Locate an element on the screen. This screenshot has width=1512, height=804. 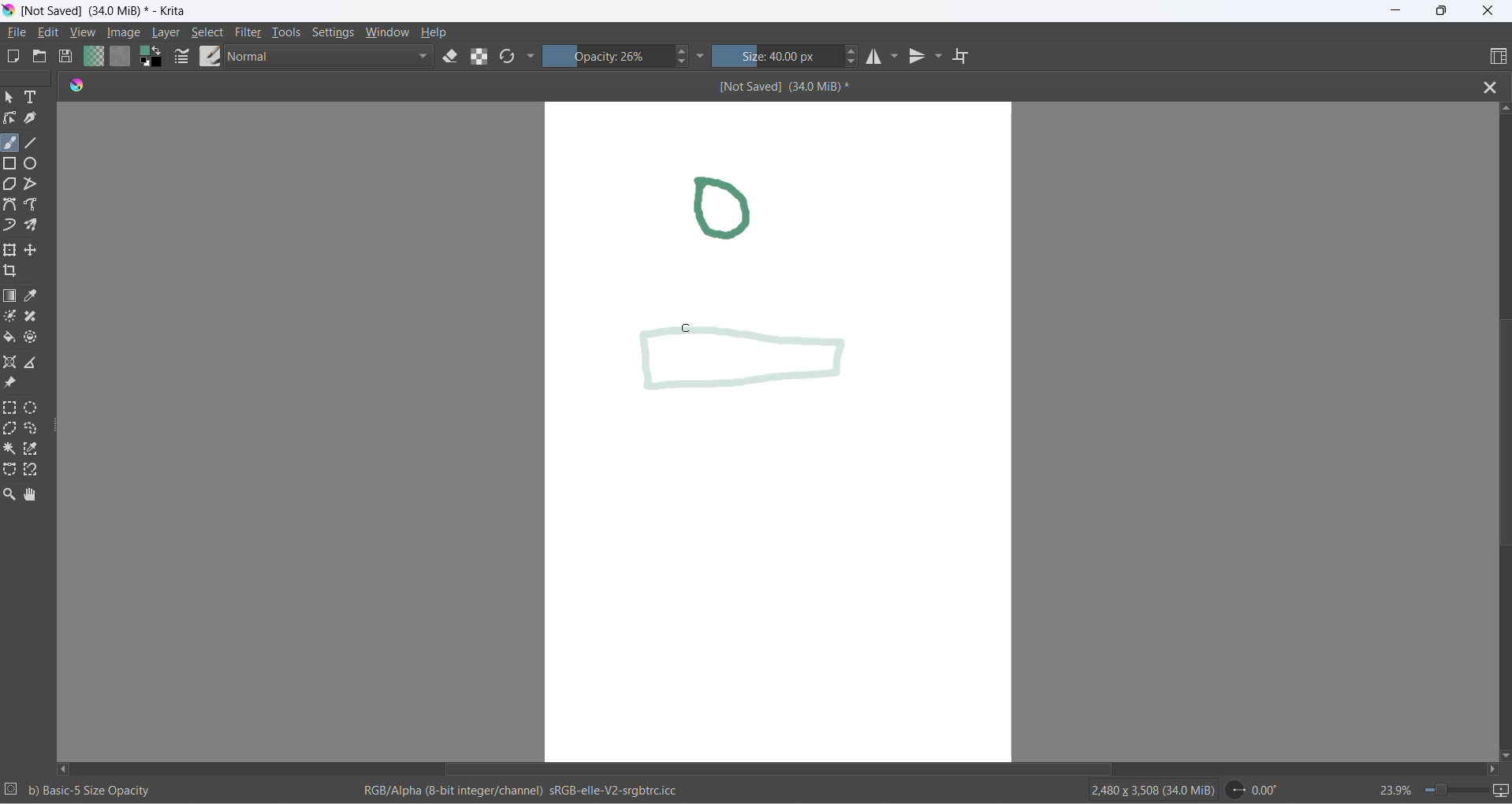
vertical mirror tool is located at coordinates (919, 57).